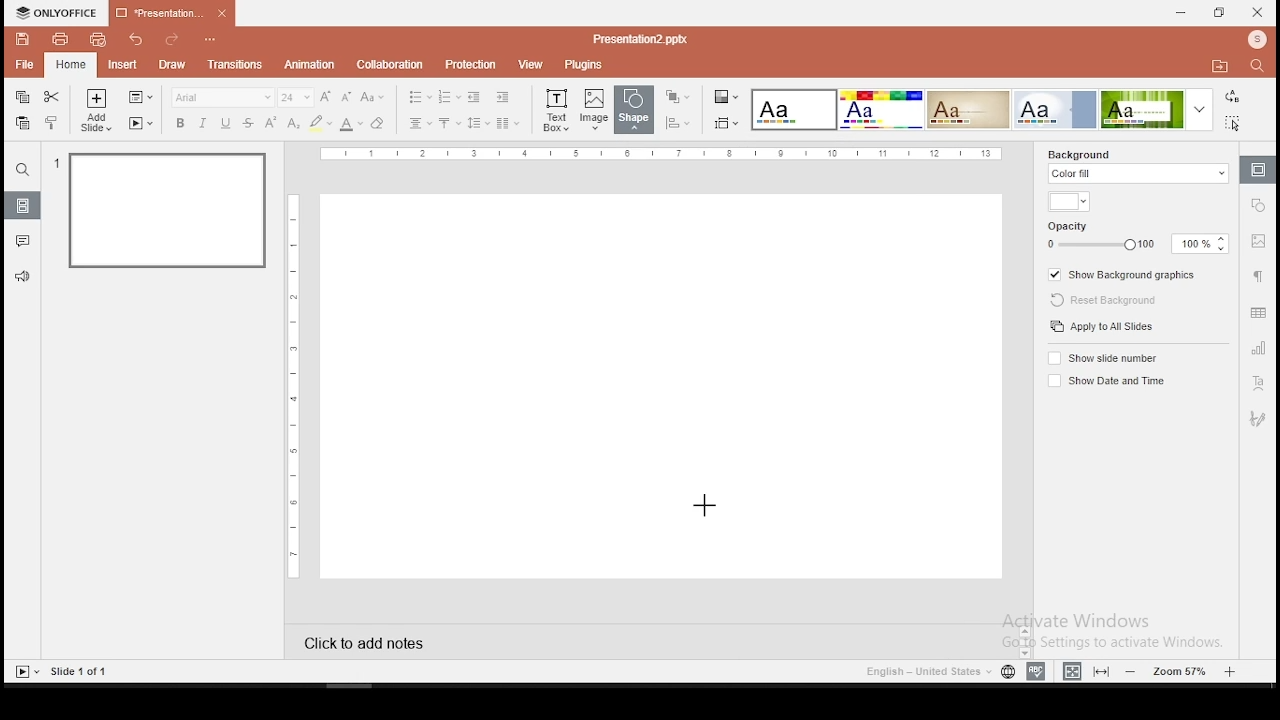 The image size is (1280, 720). What do you see at coordinates (419, 97) in the screenshot?
I see `bullets` at bounding box center [419, 97].